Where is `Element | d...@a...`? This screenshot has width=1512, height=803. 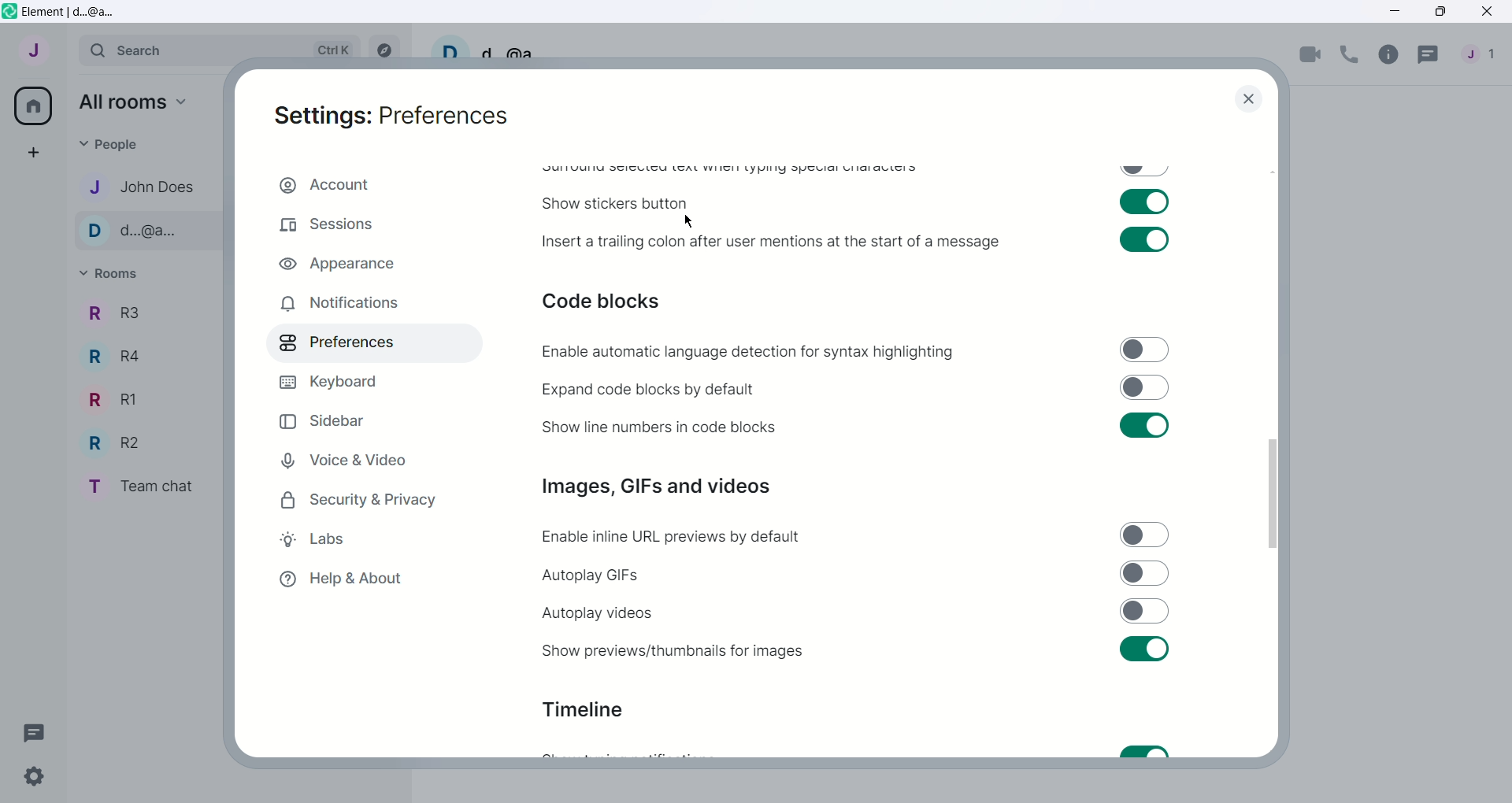
Element | d...@a... is located at coordinates (72, 13).